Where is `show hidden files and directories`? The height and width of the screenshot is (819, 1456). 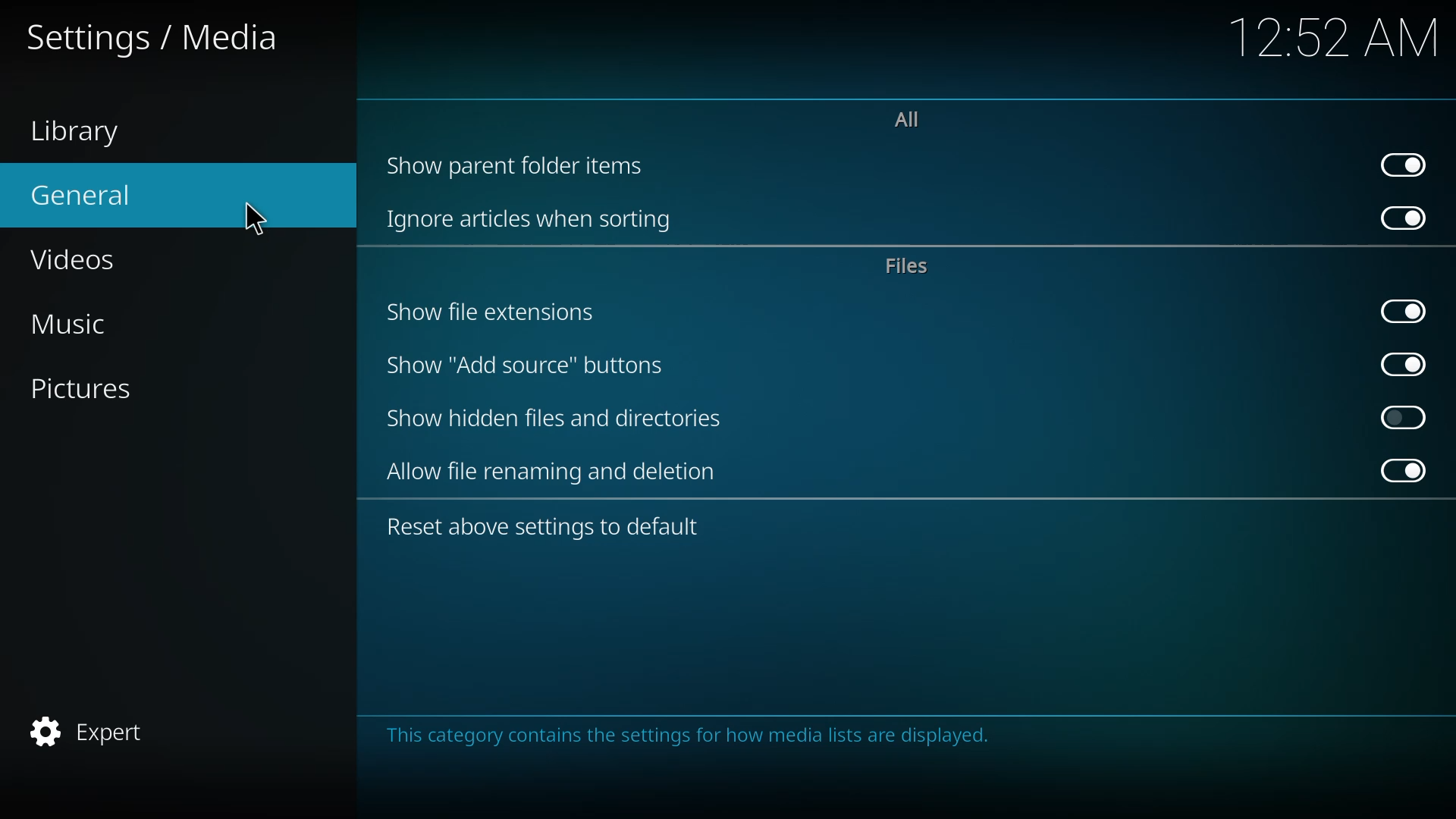
show hidden files and directories is located at coordinates (555, 416).